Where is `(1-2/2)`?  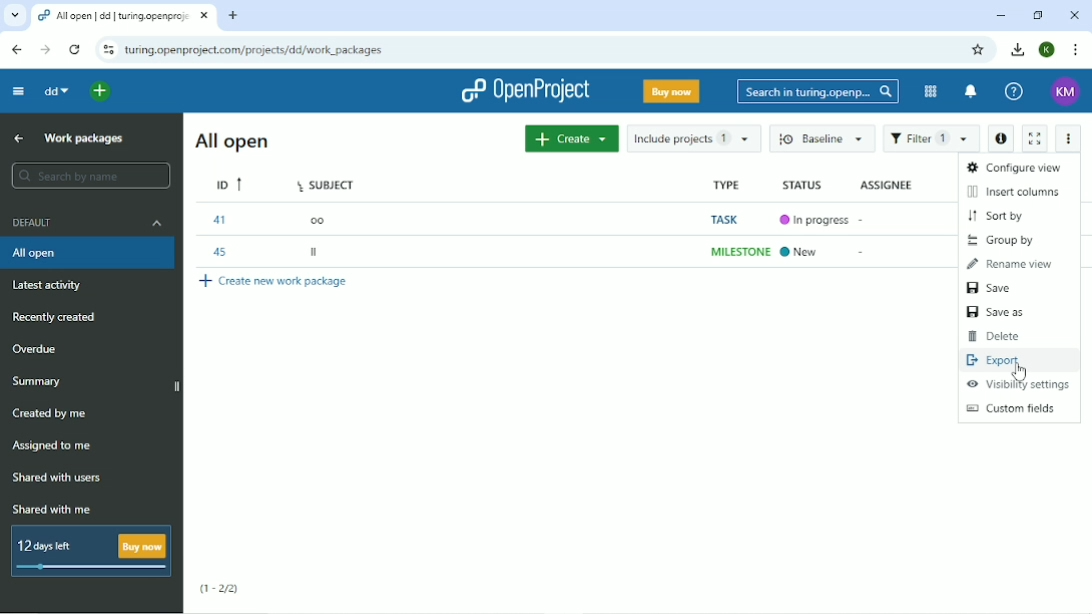
(1-2/2) is located at coordinates (220, 589).